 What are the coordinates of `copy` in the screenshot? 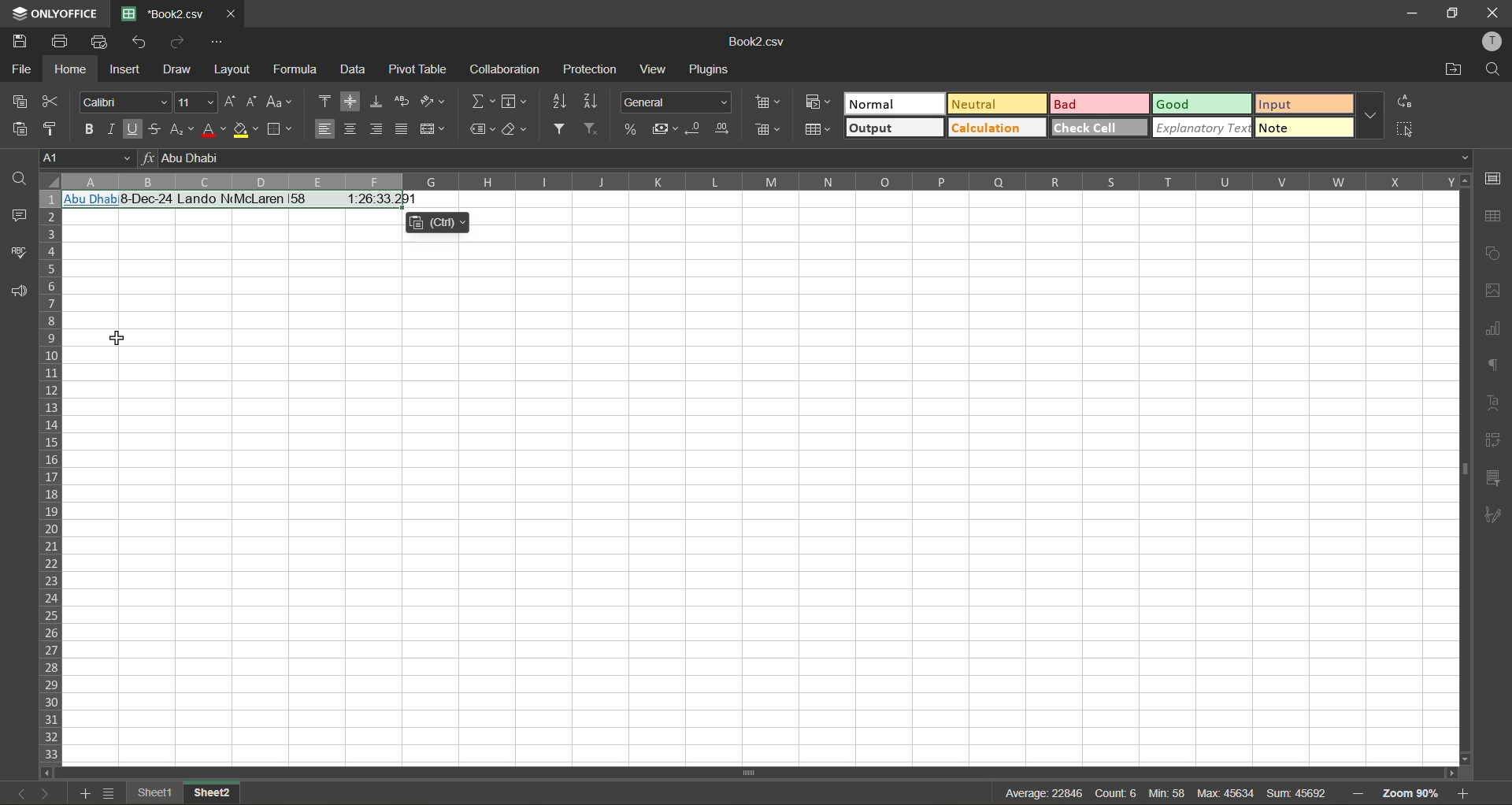 It's located at (20, 101).